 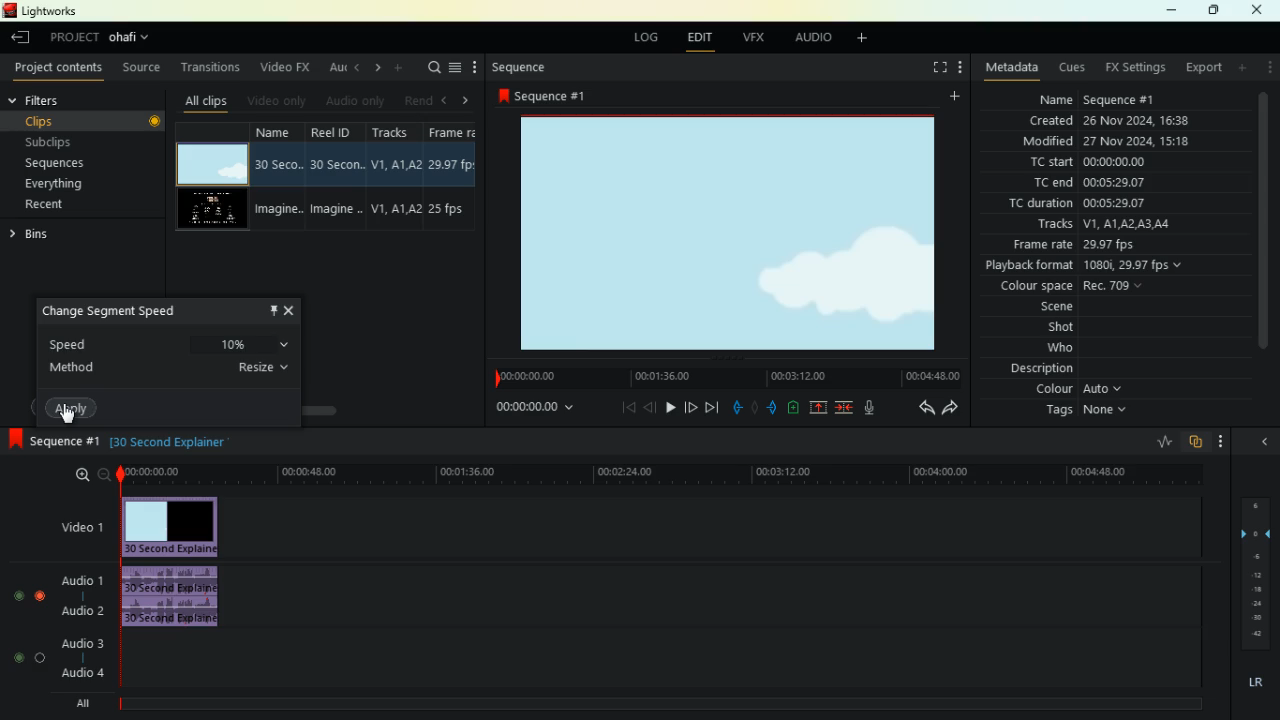 I want to click on bins, so click(x=46, y=234).